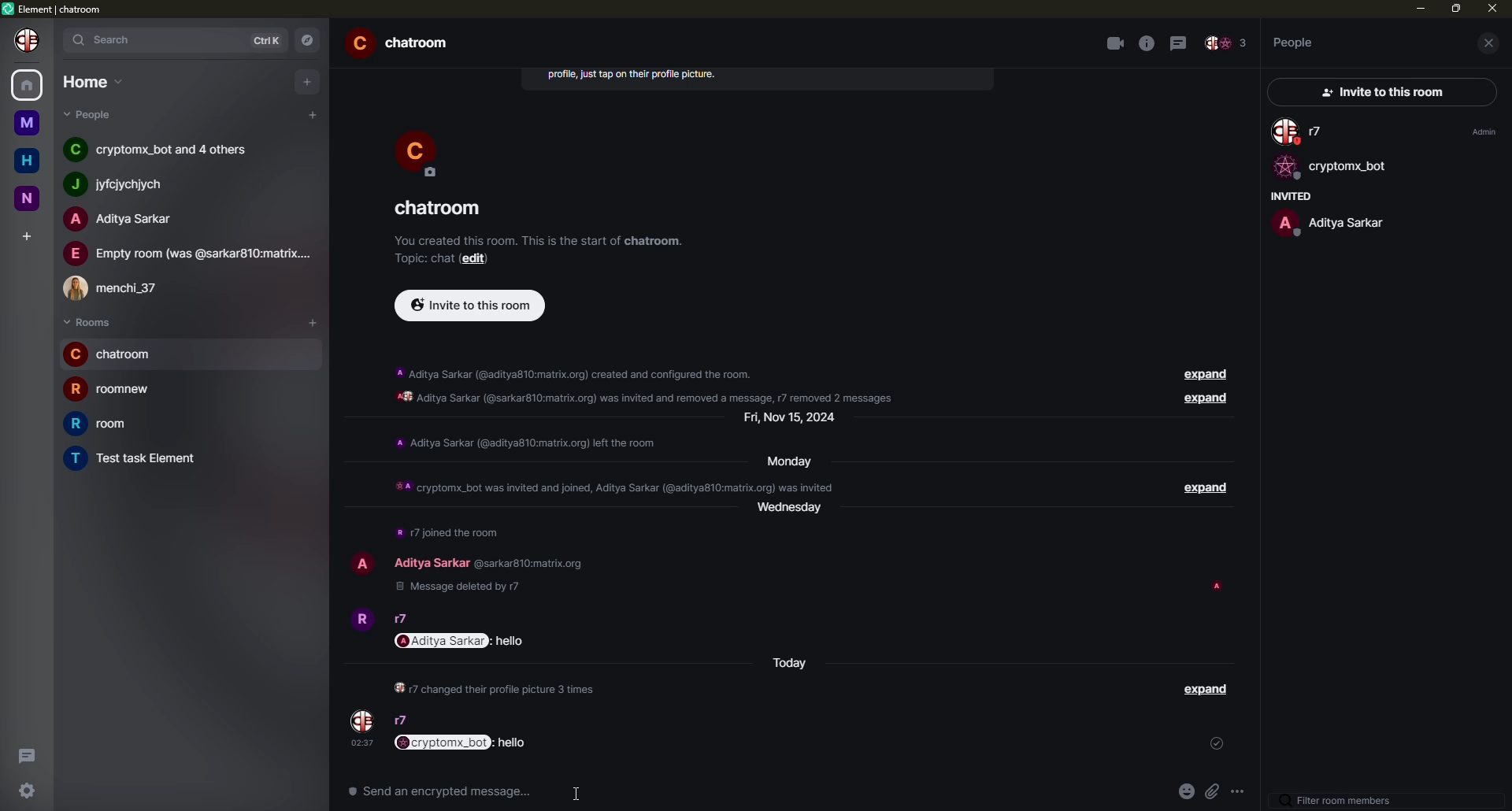  I want to click on people, so click(189, 254).